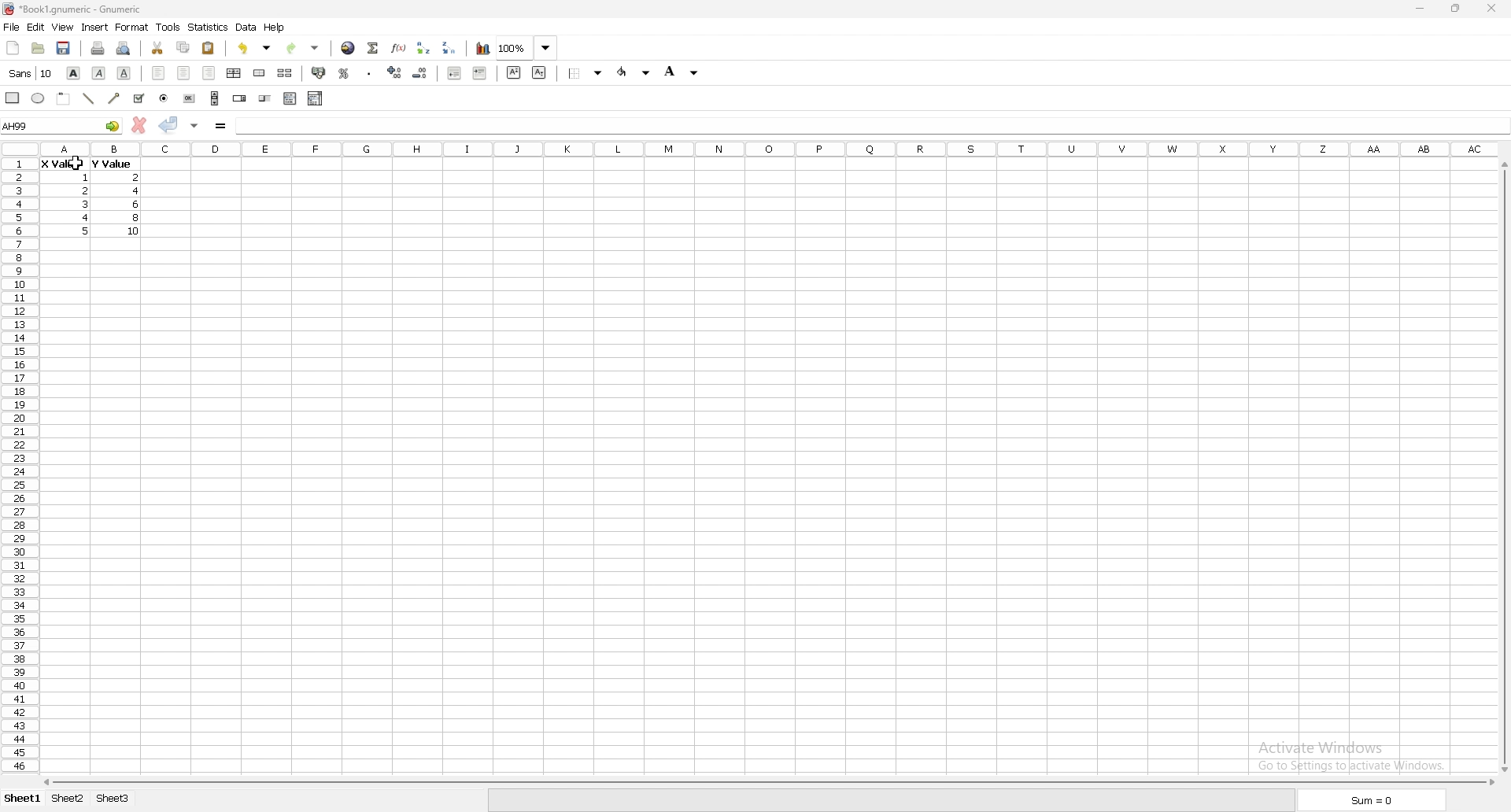 The height and width of the screenshot is (812, 1511). What do you see at coordinates (115, 98) in the screenshot?
I see `arrowed line` at bounding box center [115, 98].